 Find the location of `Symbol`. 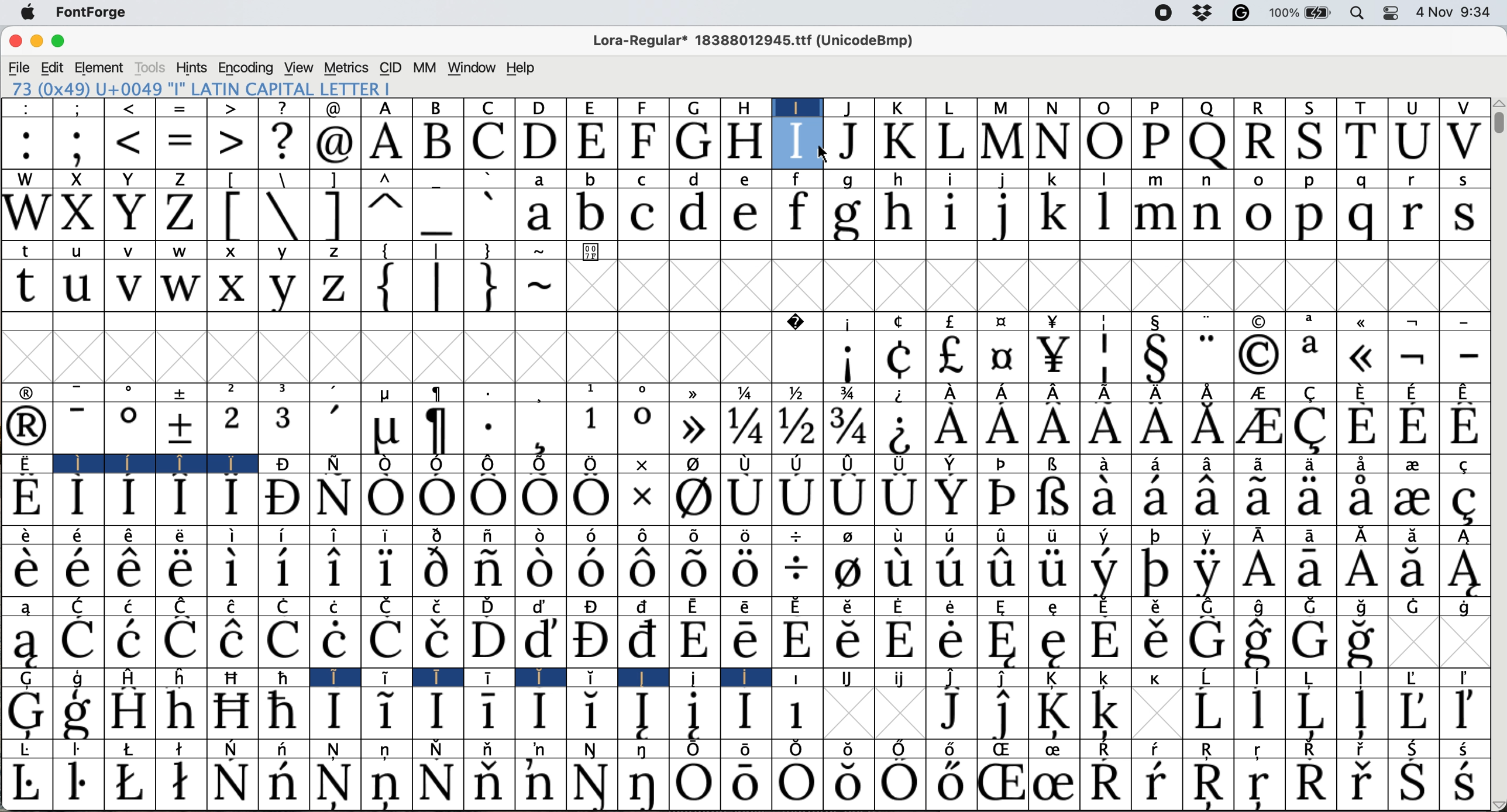

Symbol is located at coordinates (901, 570).